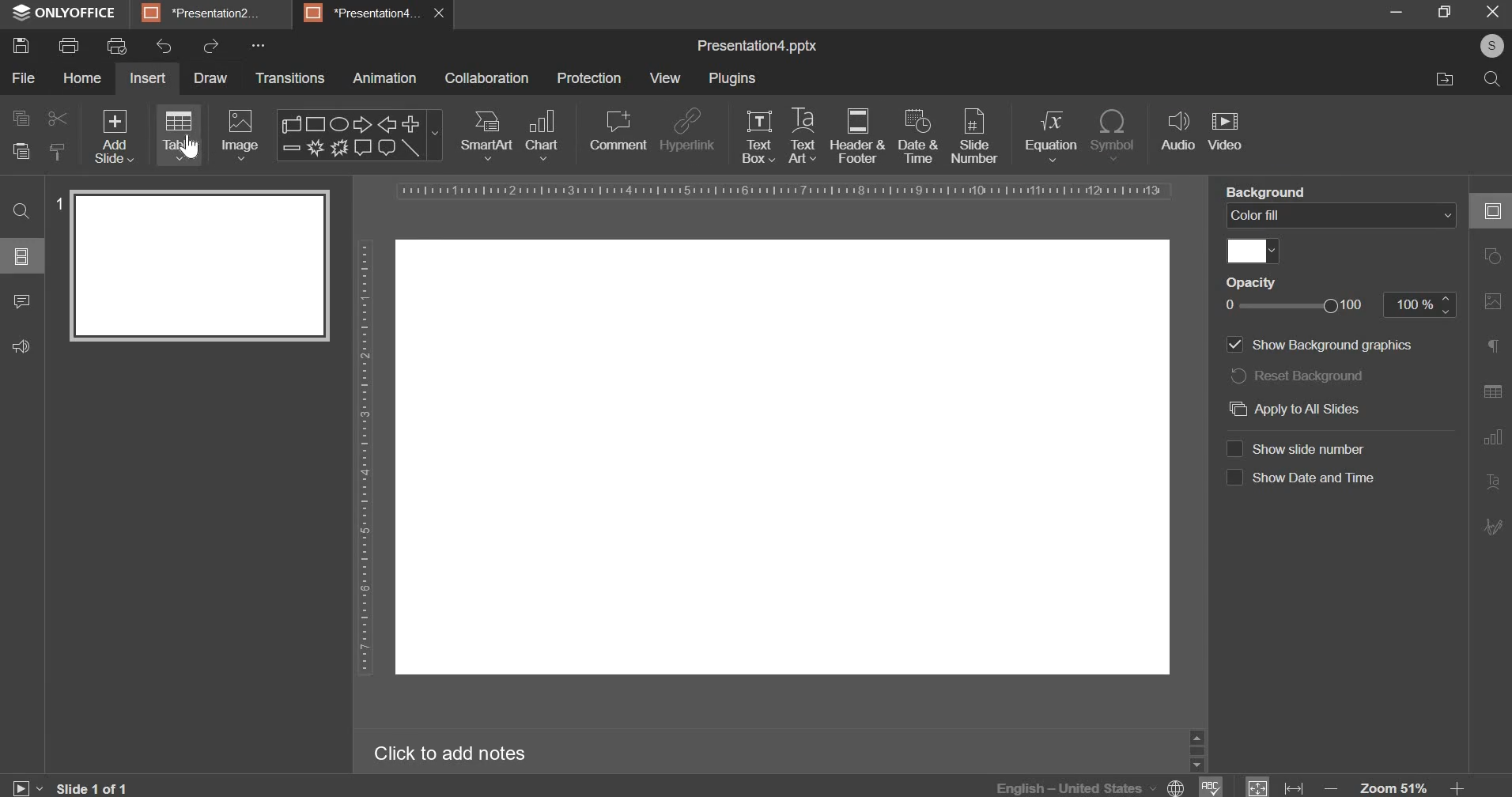 The height and width of the screenshot is (797, 1512). What do you see at coordinates (1178, 132) in the screenshot?
I see `audio` at bounding box center [1178, 132].